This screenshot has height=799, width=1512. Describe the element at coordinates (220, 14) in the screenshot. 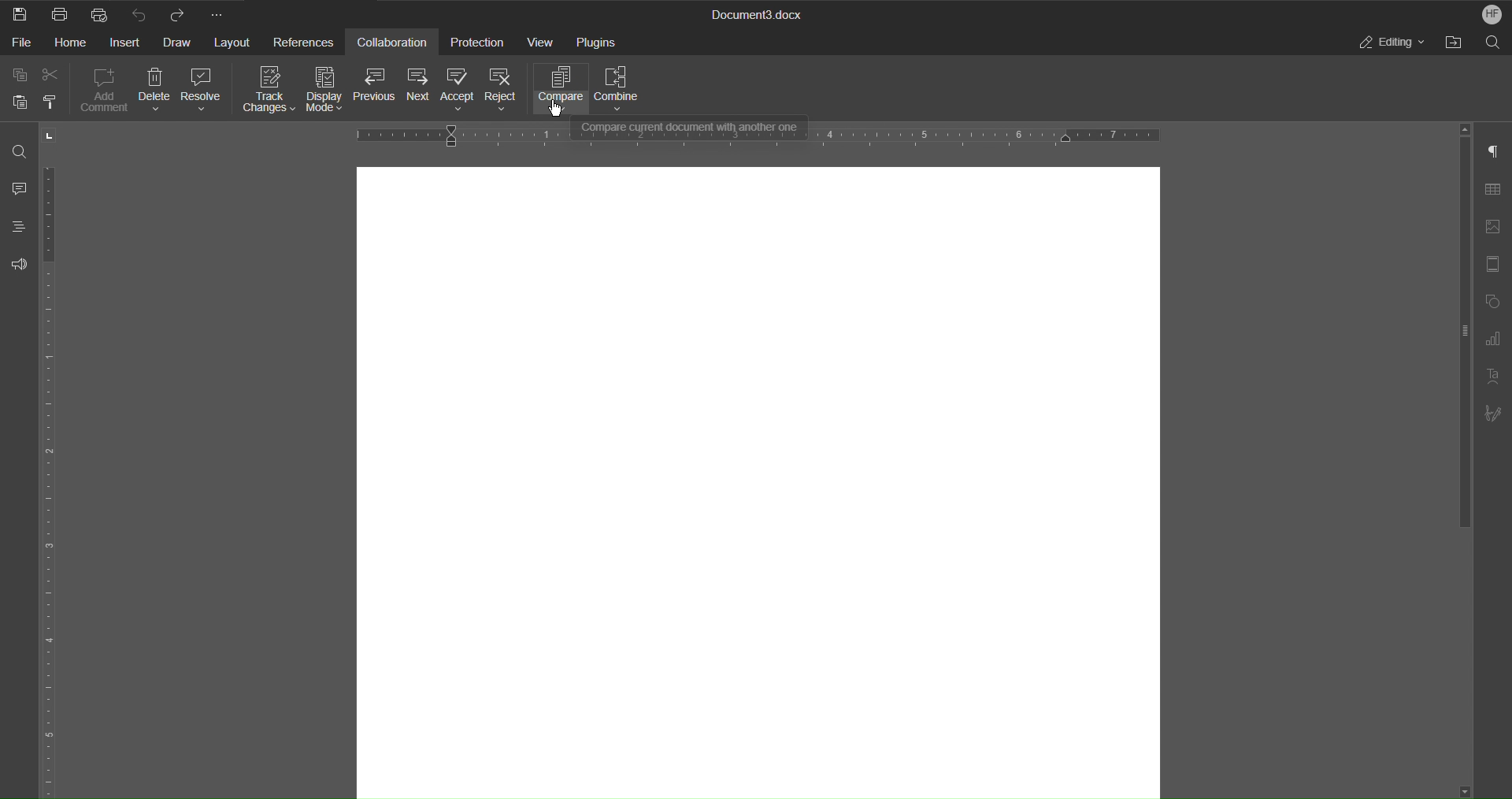

I see `More` at that location.